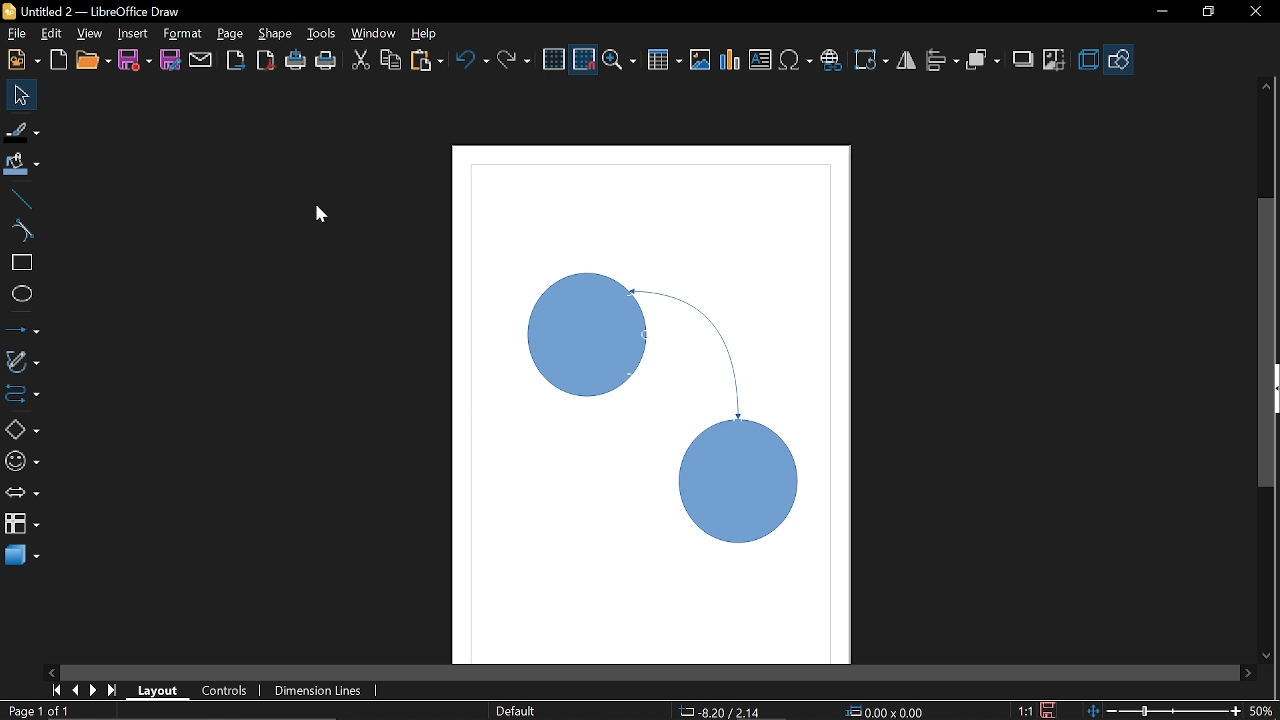 This screenshot has width=1280, height=720. I want to click on Curve, so click(18, 229).